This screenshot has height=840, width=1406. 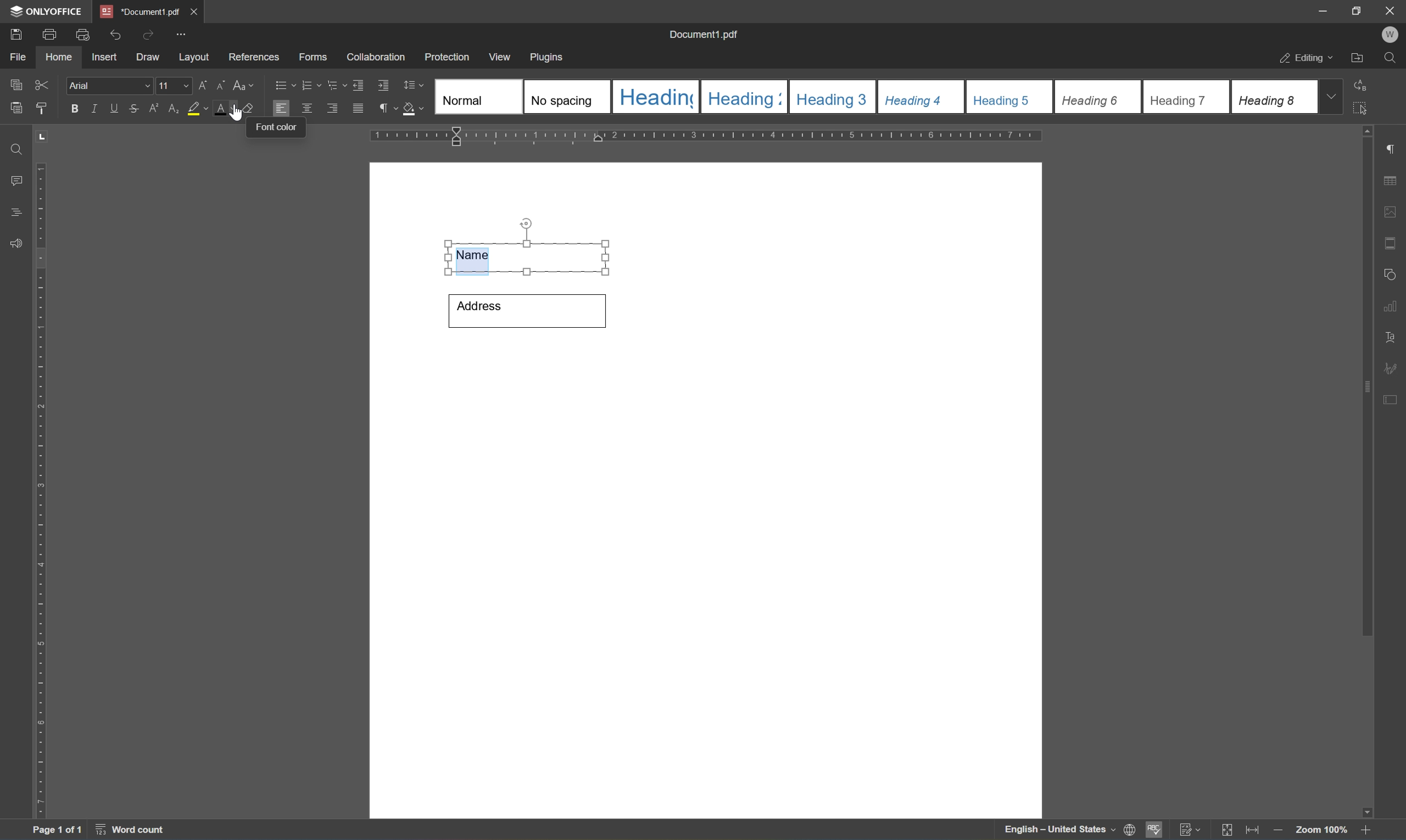 What do you see at coordinates (44, 11) in the screenshot?
I see `ONLYOFFICE` at bounding box center [44, 11].